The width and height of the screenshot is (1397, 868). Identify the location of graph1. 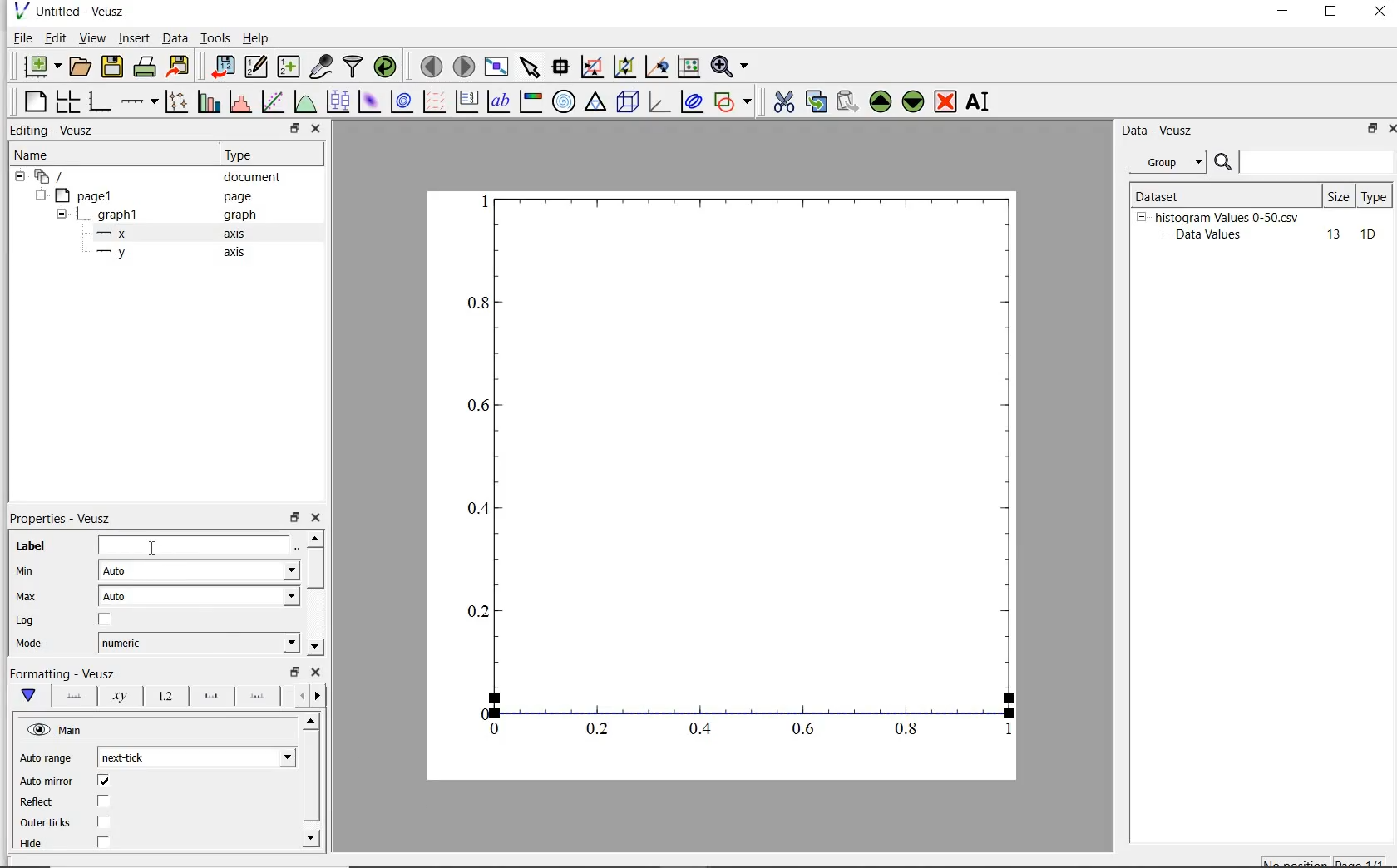
(111, 217).